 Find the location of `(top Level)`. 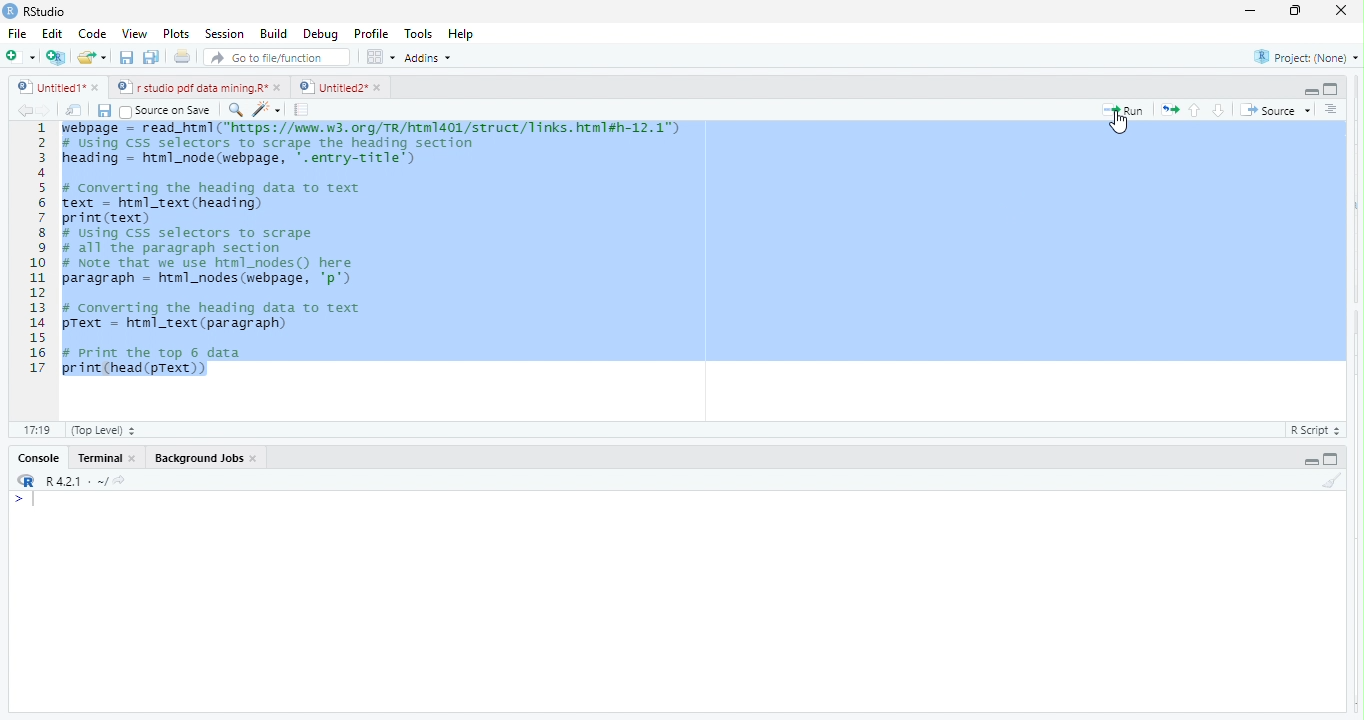

(top Level) is located at coordinates (104, 430).